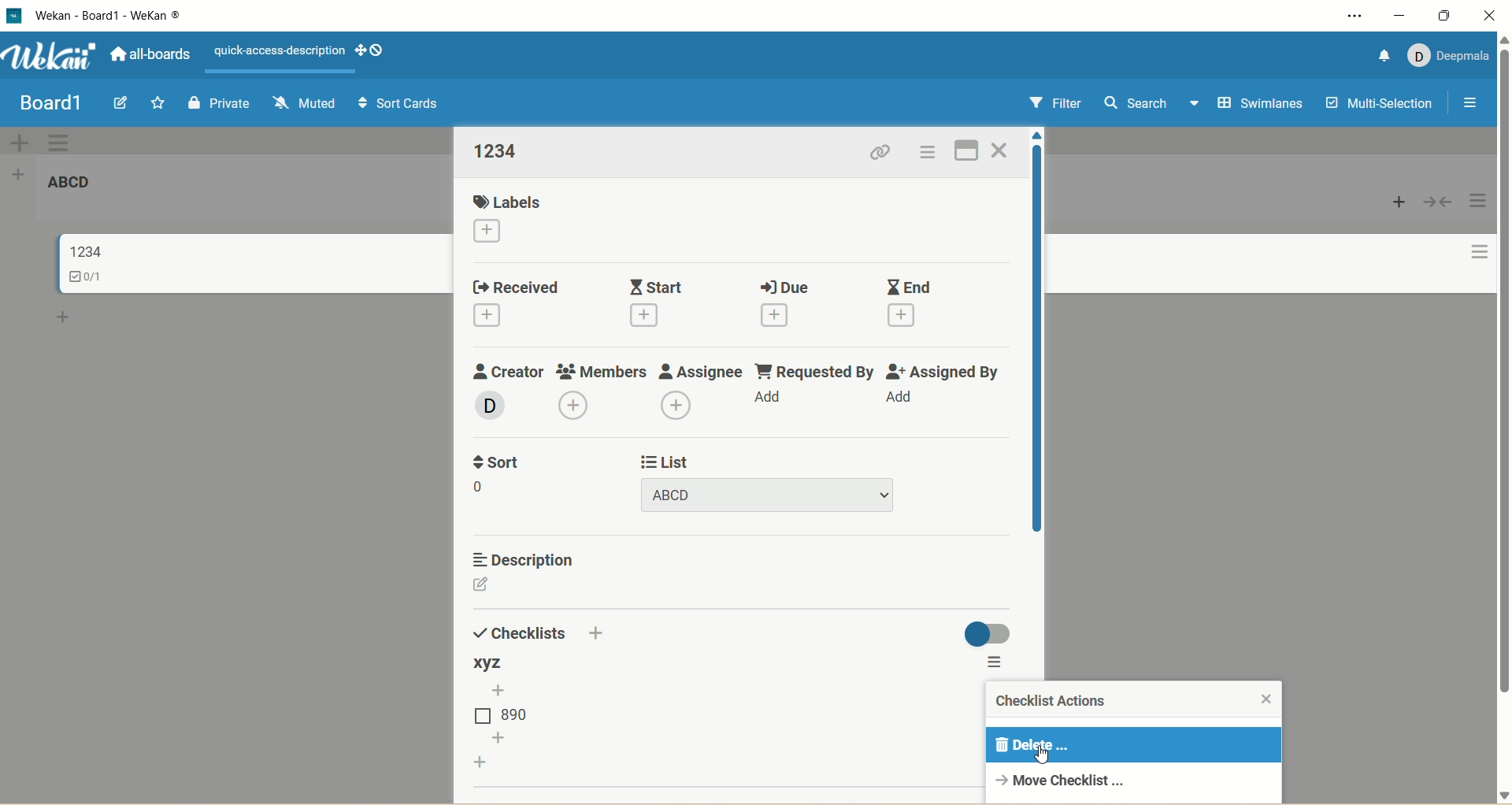 The height and width of the screenshot is (805, 1512). Describe the element at coordinates (517, 632) in the screenshot. I see `checklists` at that location.